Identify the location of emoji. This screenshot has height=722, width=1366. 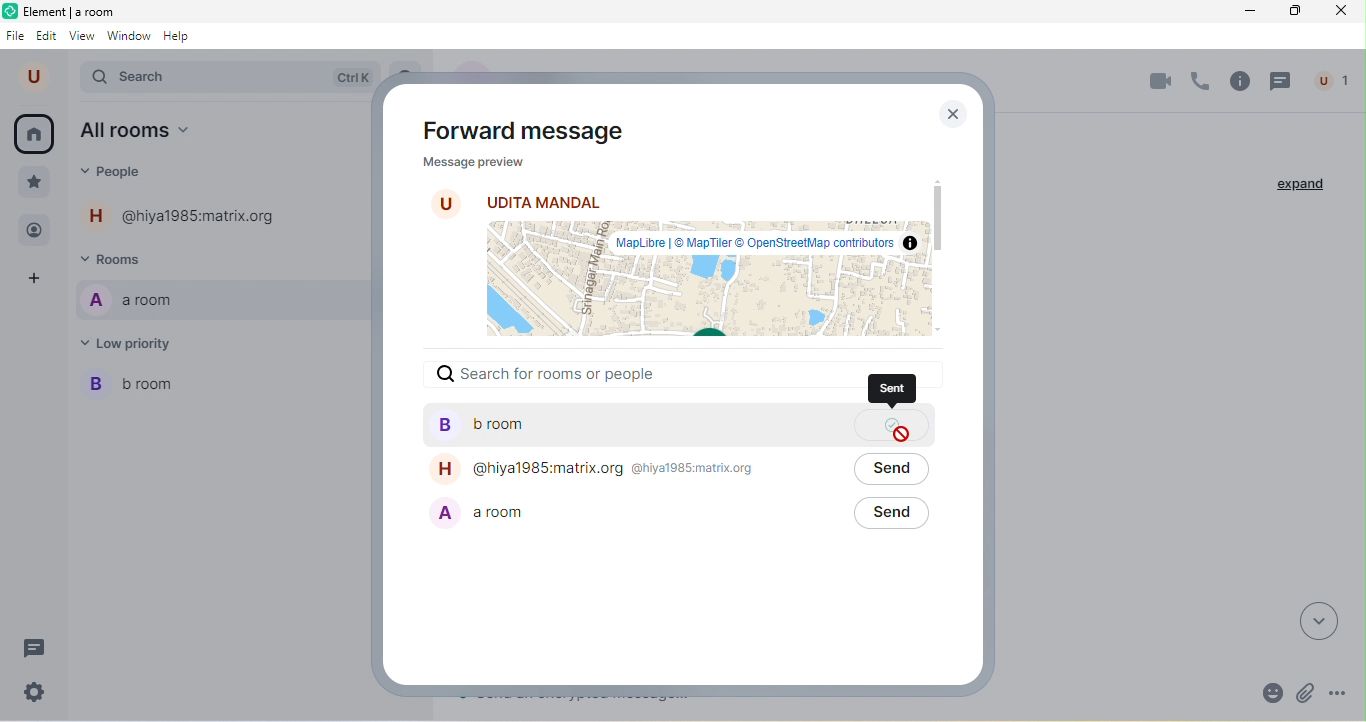
(1269, 692).